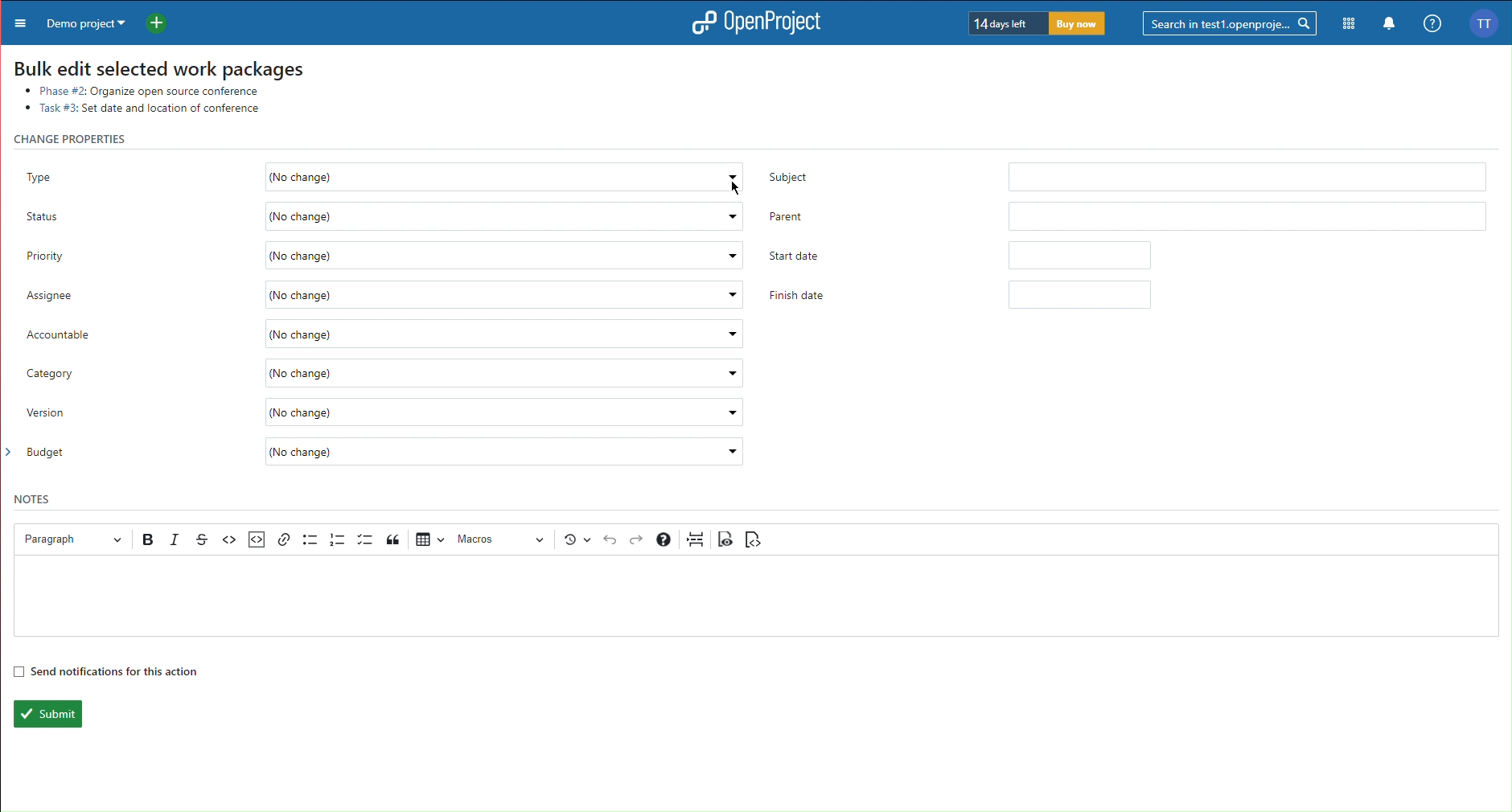  I want to click on Table, so click(429, 538).